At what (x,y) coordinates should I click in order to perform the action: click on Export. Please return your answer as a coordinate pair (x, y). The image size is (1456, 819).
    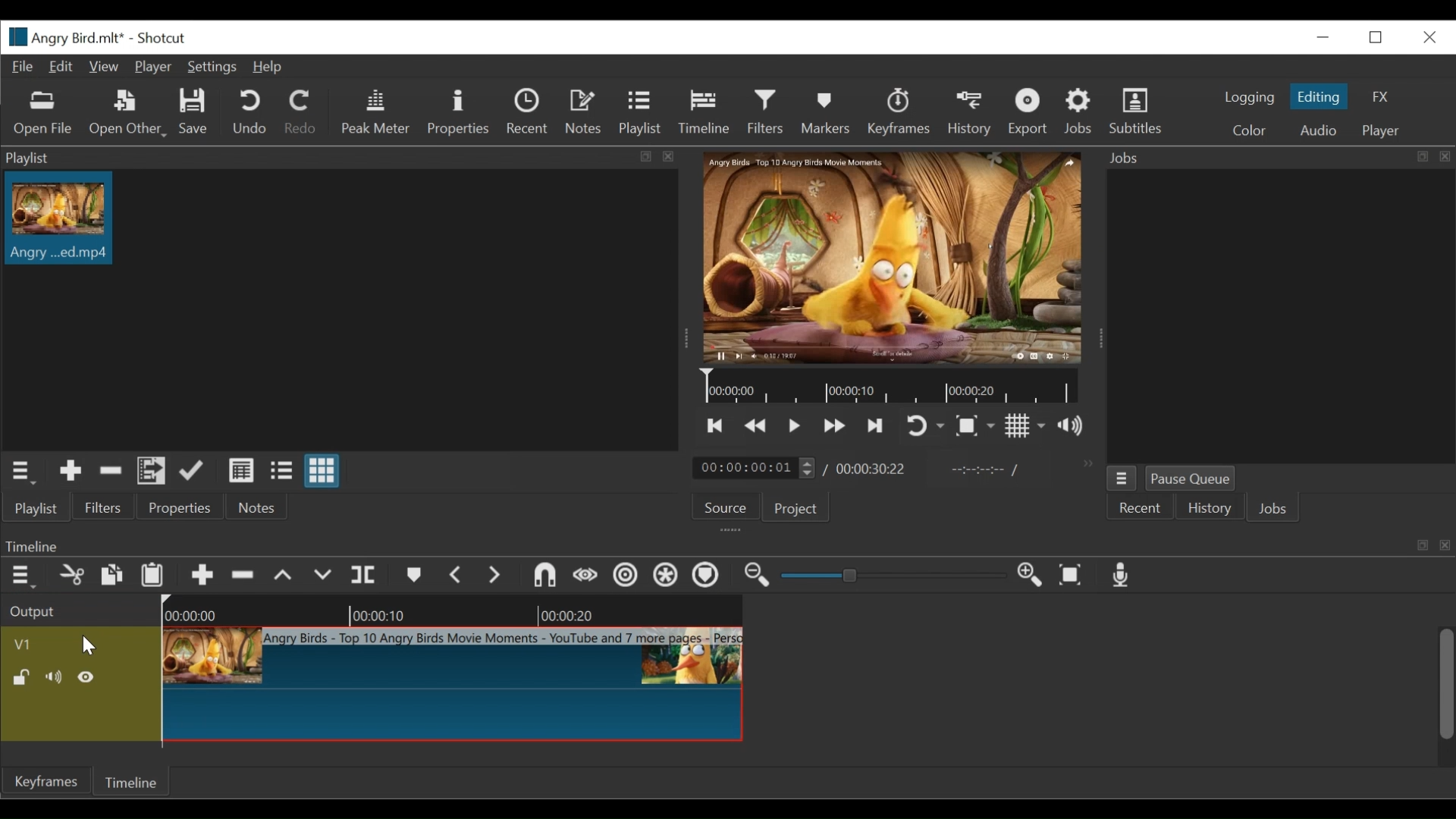
    Looking at the image, I should click on (1031, 114).